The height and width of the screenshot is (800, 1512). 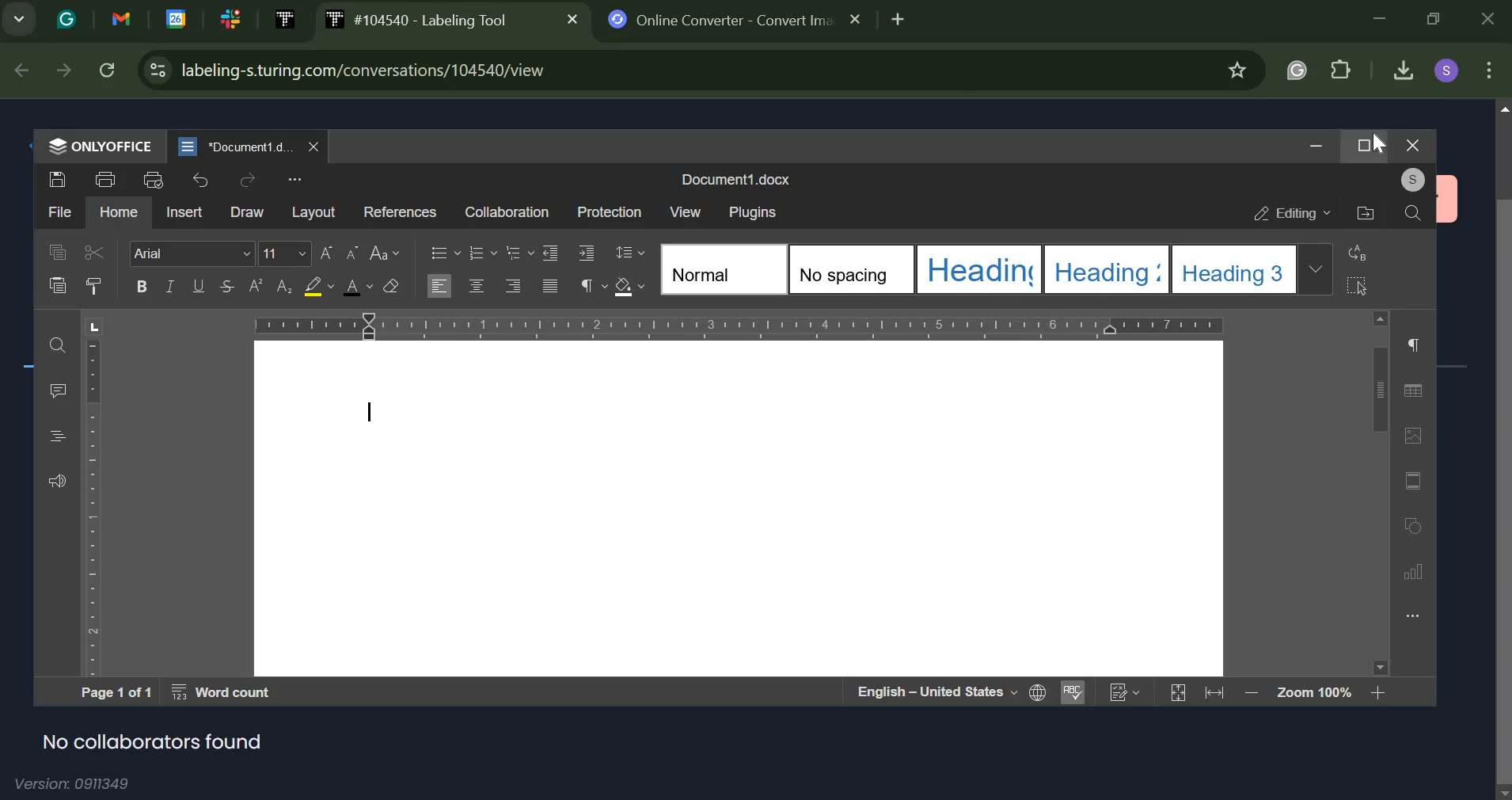 I want to click on ONLYOFFICE, so click(x=112, y=145).